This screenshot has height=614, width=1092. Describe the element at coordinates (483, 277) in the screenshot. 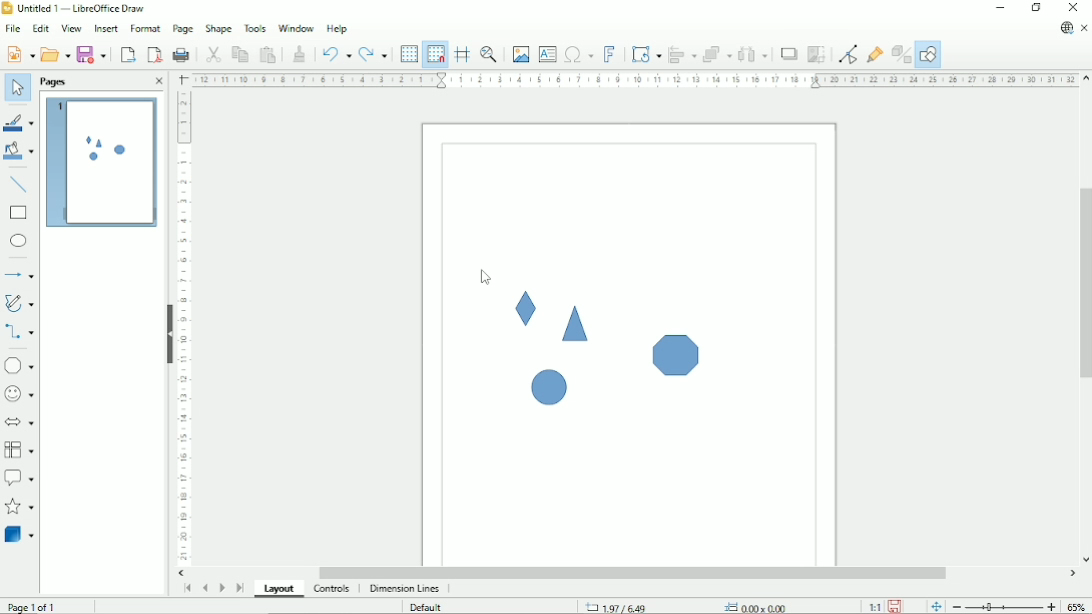

I see `Cursor` at that location.